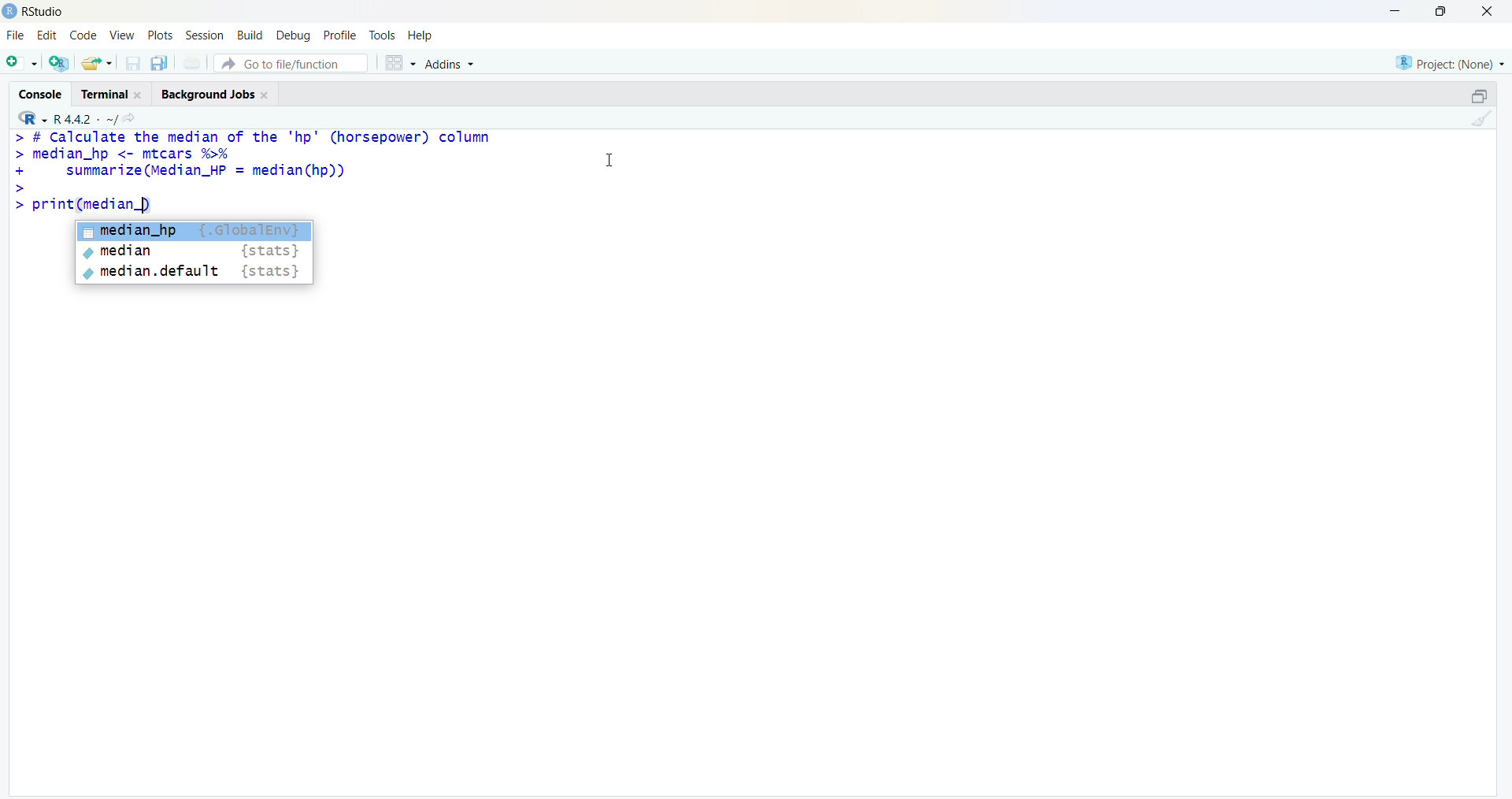  Describe the element at coordinates (129, 120) in the screenshot. I see `share icon` at that location.